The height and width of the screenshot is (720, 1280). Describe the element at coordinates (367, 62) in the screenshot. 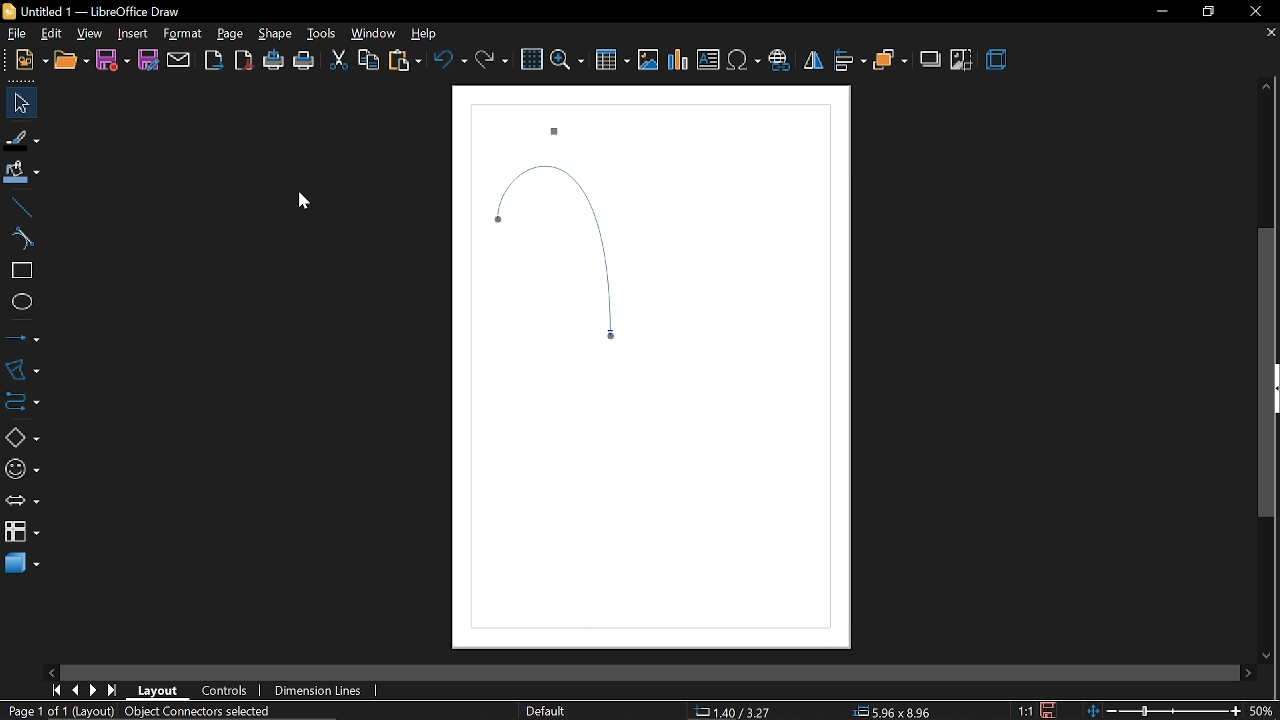

I see `copy` at that location.